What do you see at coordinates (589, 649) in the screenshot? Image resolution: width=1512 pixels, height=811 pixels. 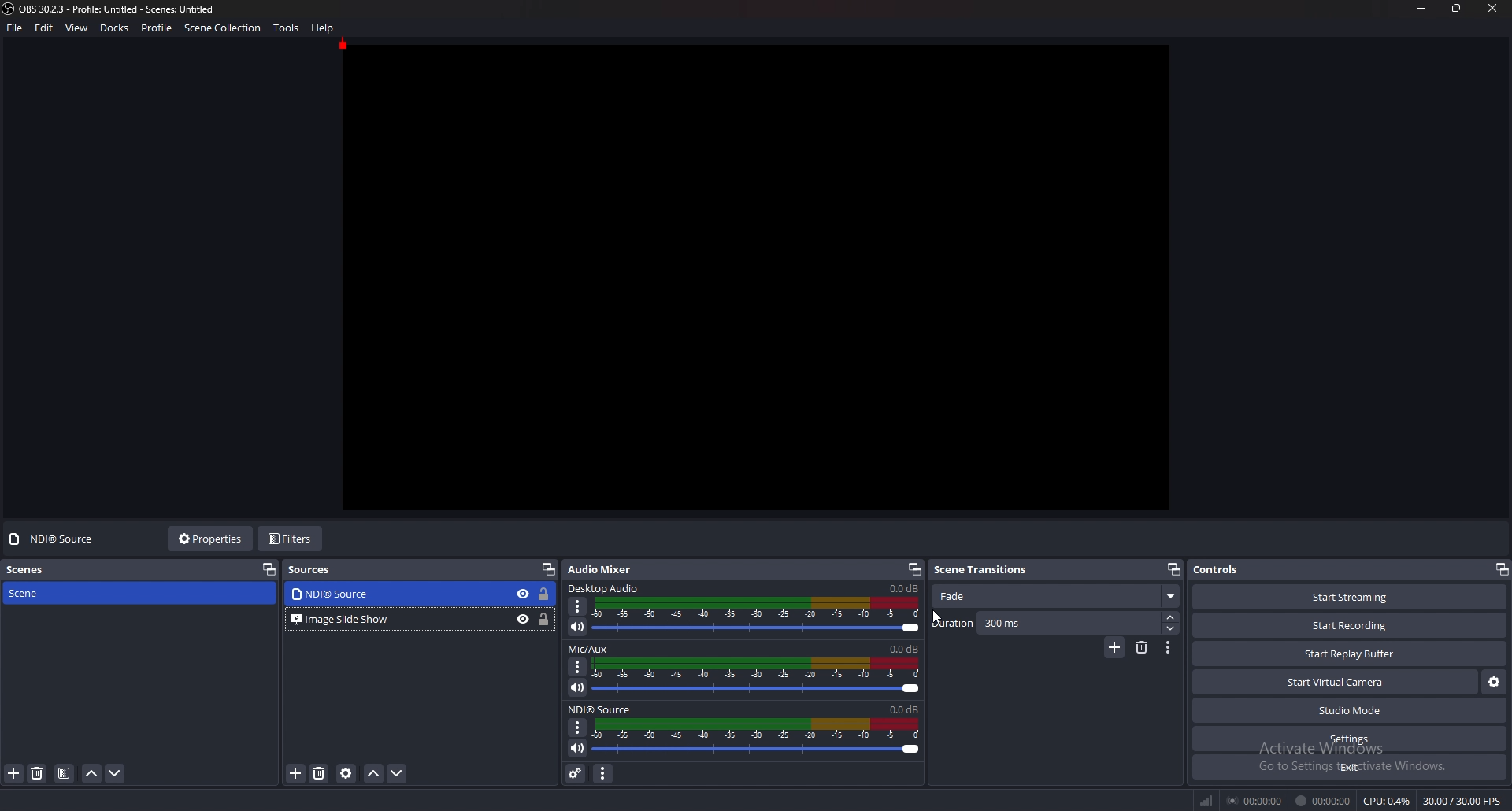 I see `mic/aux` at bounding box center [589, 649].